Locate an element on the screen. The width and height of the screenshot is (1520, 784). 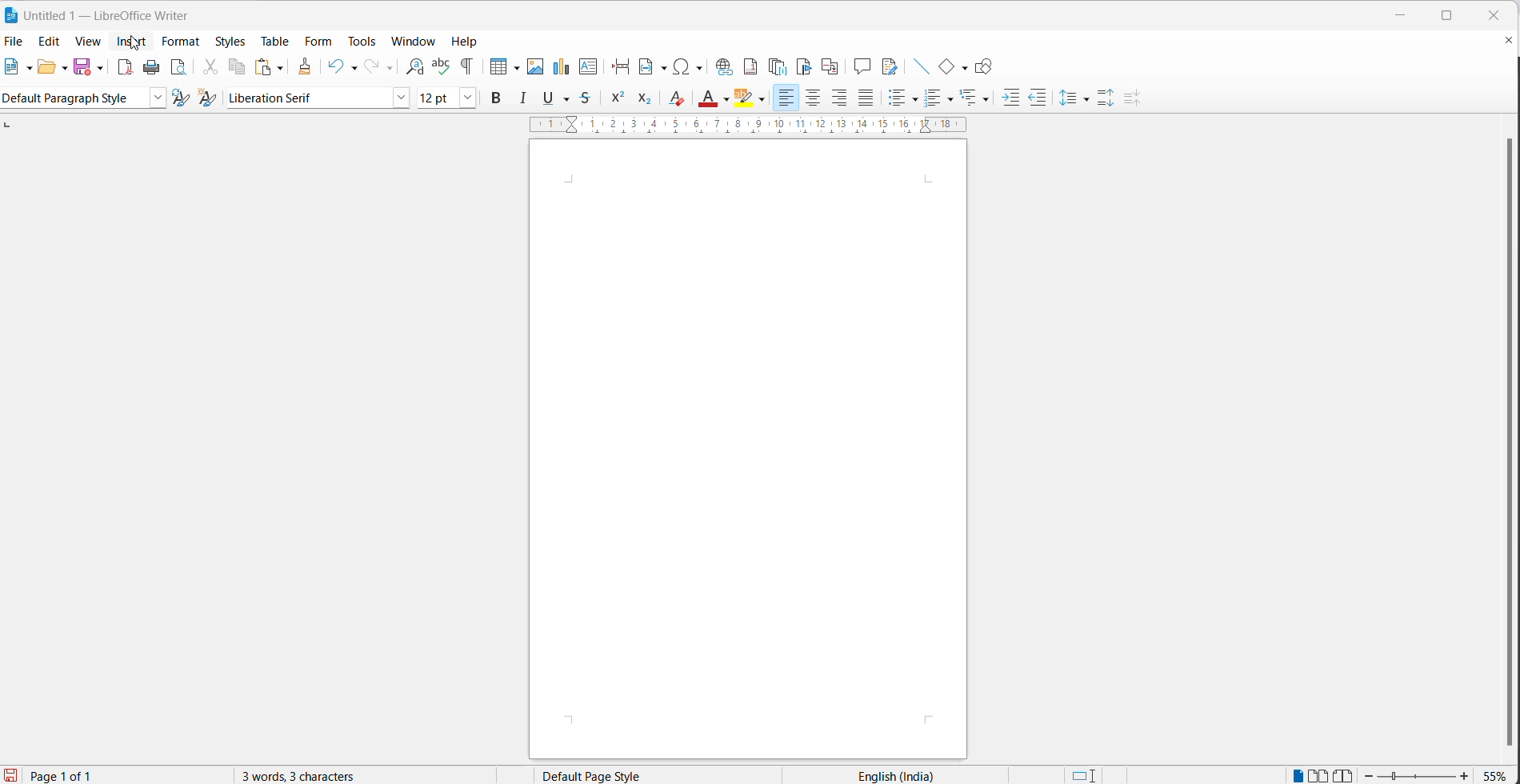
toggle ordered list  is located at coordinates (951, 99).